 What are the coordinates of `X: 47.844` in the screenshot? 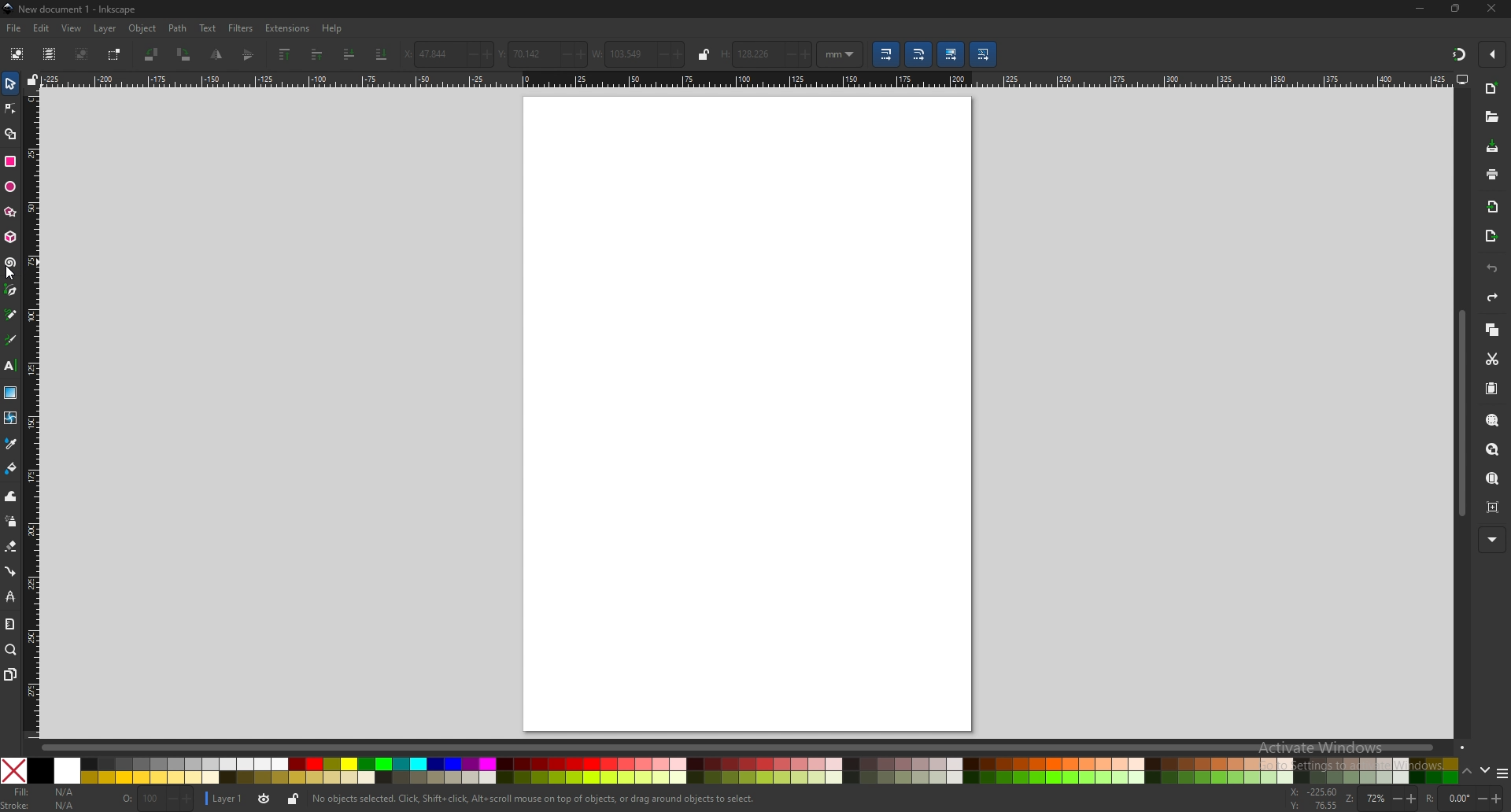 It's located at (445, 51).